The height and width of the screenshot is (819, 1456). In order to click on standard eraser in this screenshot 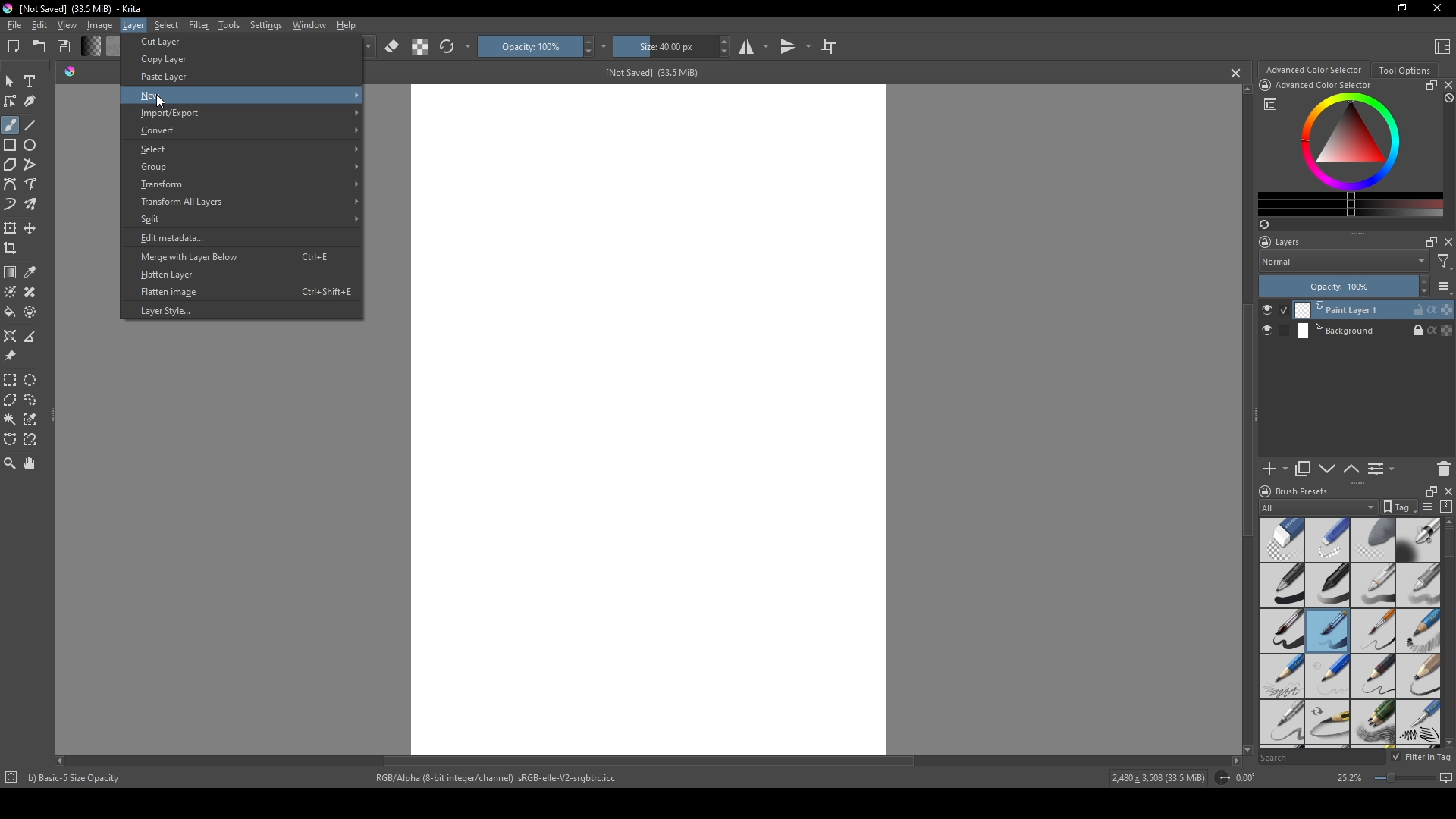, I will do `click(1281, 539)`.